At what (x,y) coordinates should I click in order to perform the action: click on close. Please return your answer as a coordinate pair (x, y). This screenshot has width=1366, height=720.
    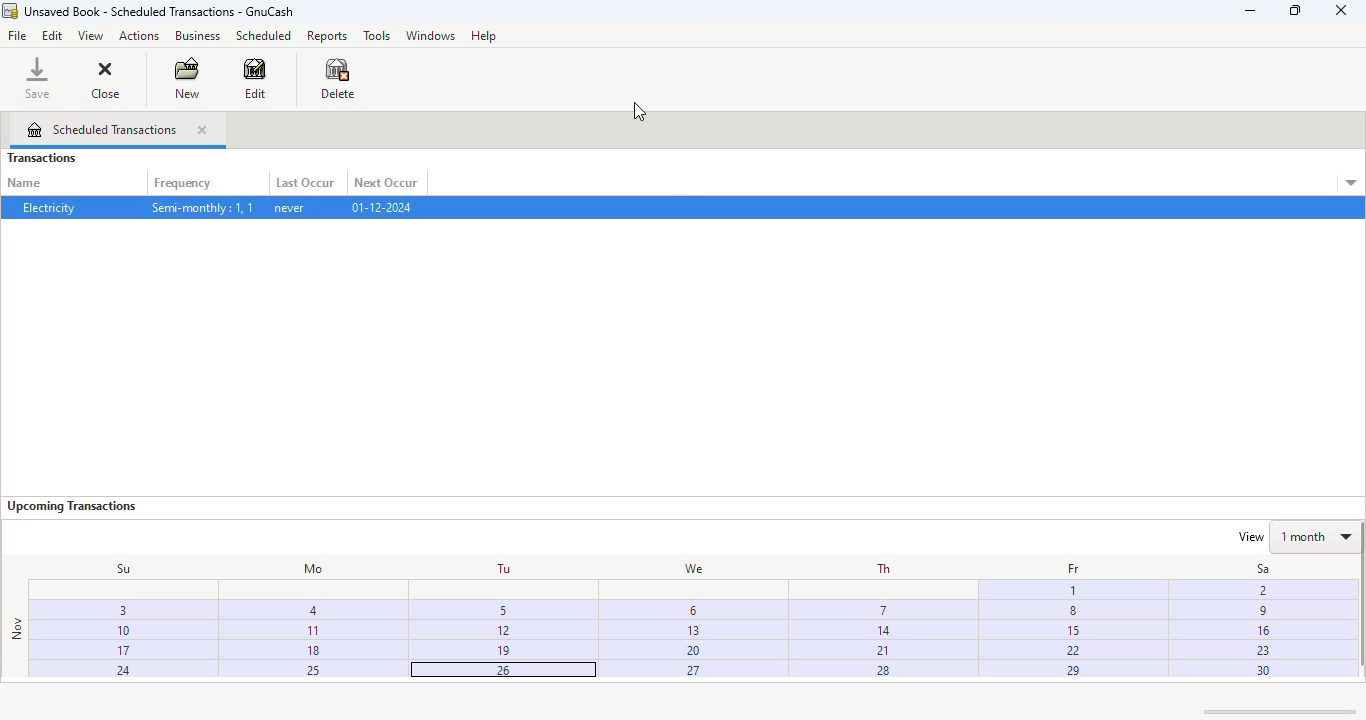
    Looking at the image, I should click on (105, 77).